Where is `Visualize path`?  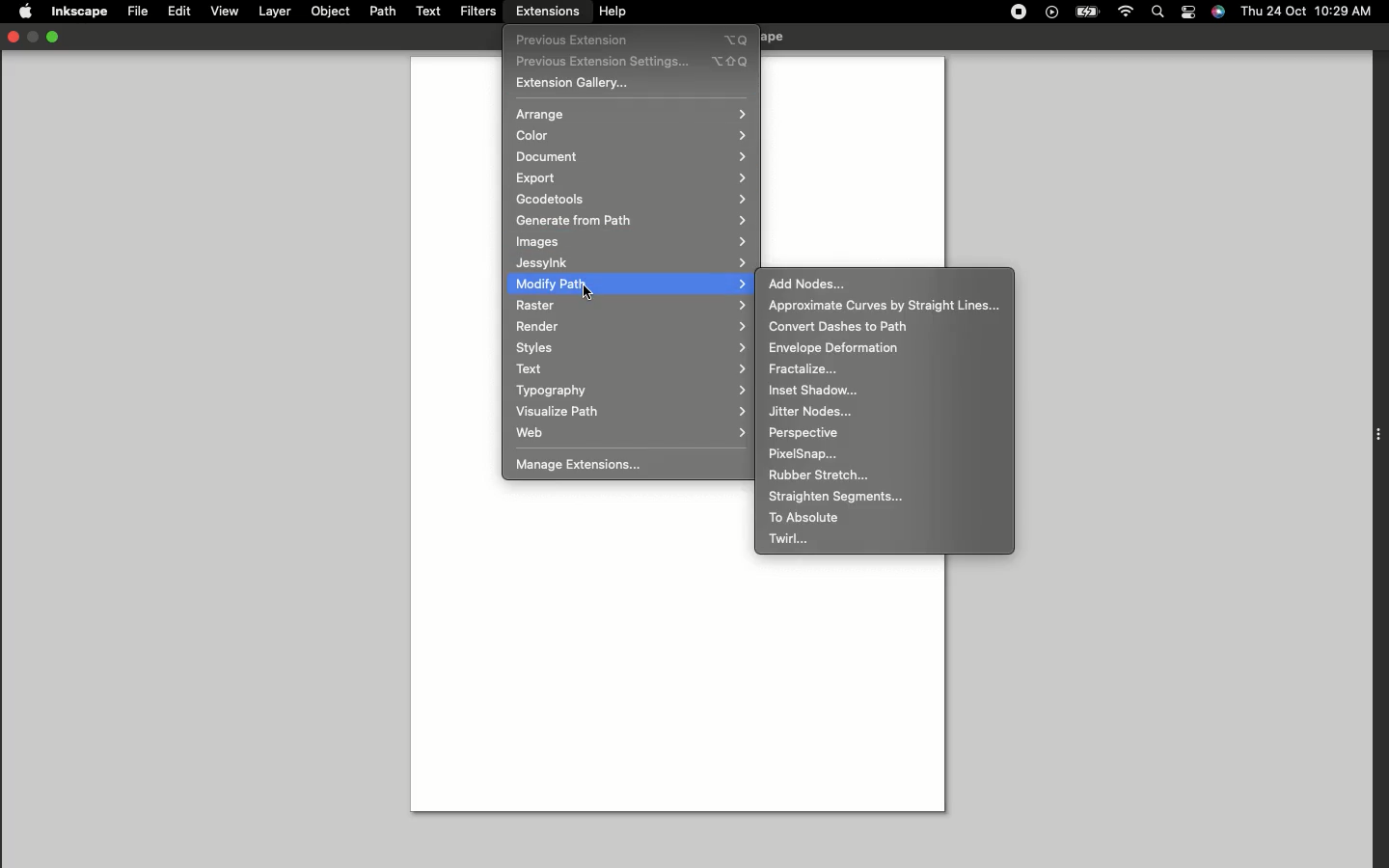
Visualize path is located at coordinates (629, 411).